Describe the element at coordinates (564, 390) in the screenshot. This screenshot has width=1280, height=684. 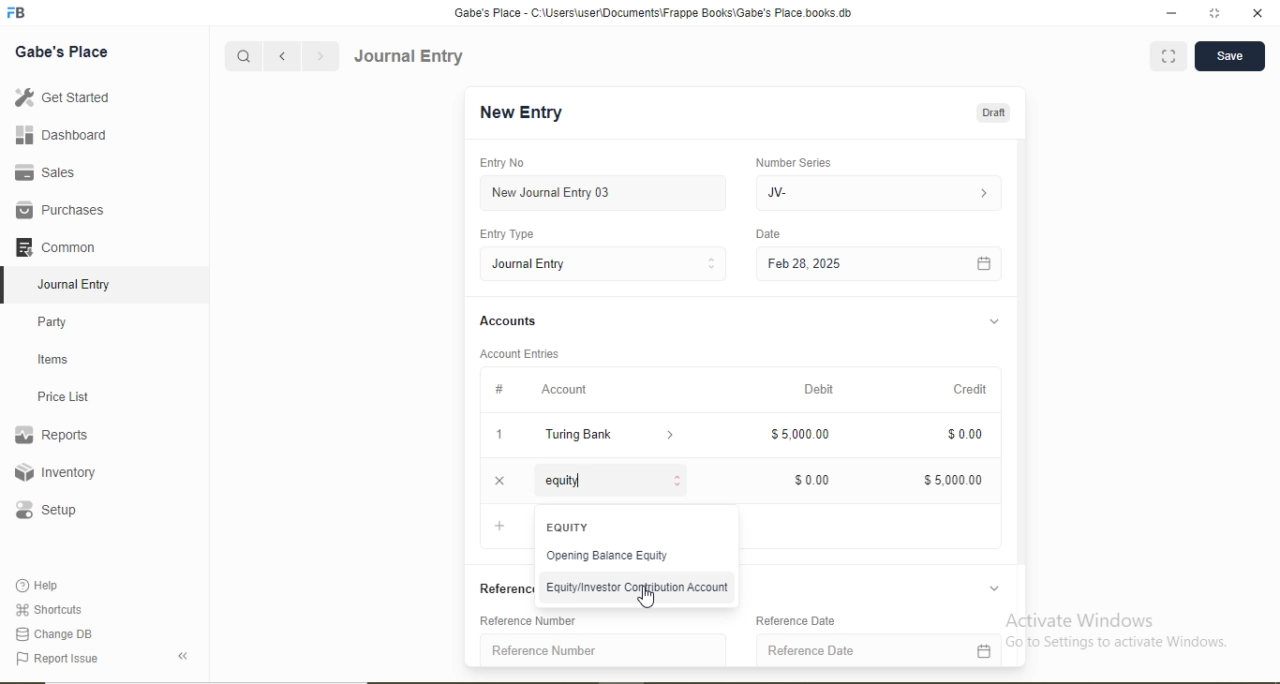
I see `Account` at that location.